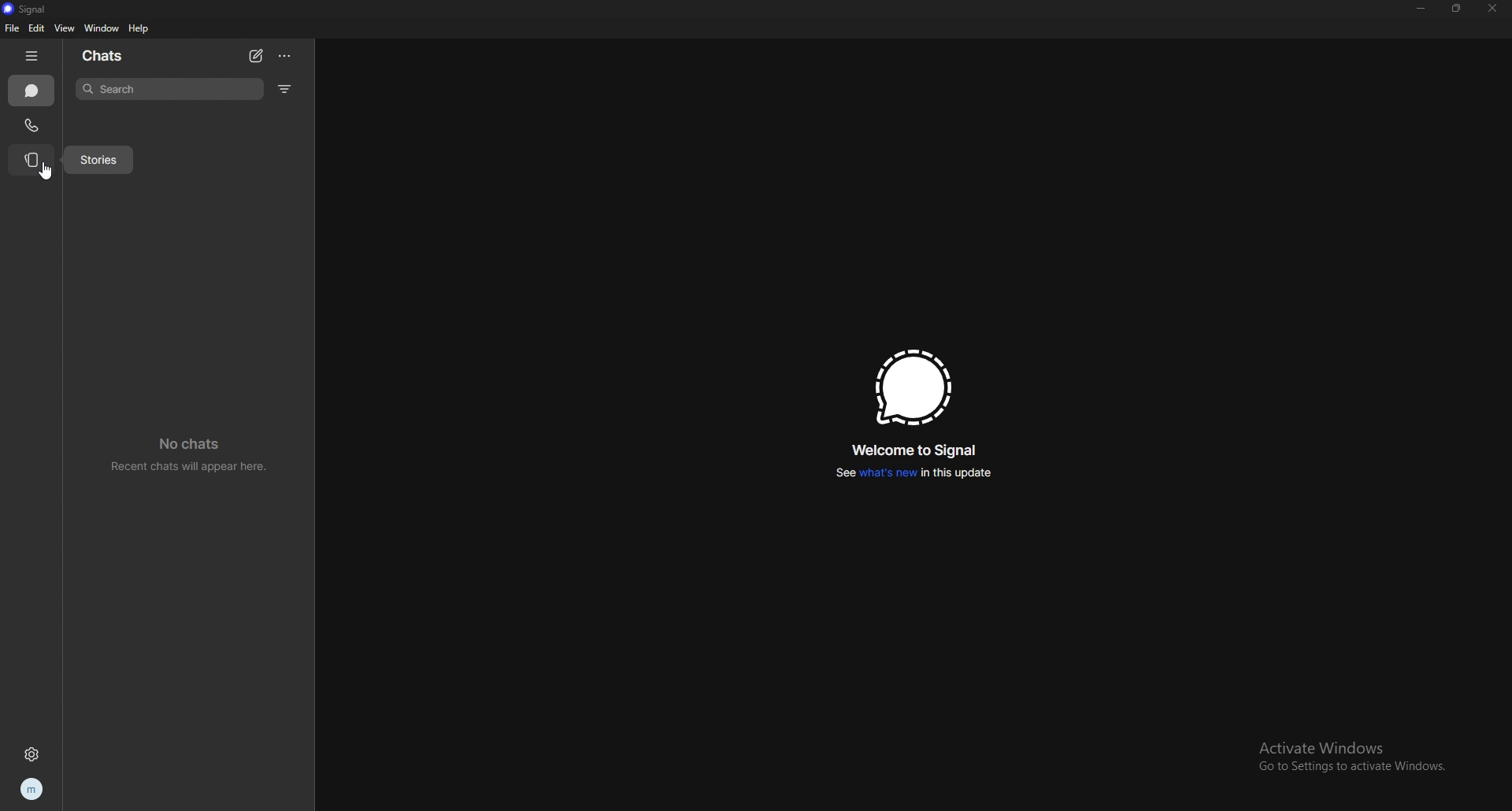  I want to click on cursor, so click(47, 171).